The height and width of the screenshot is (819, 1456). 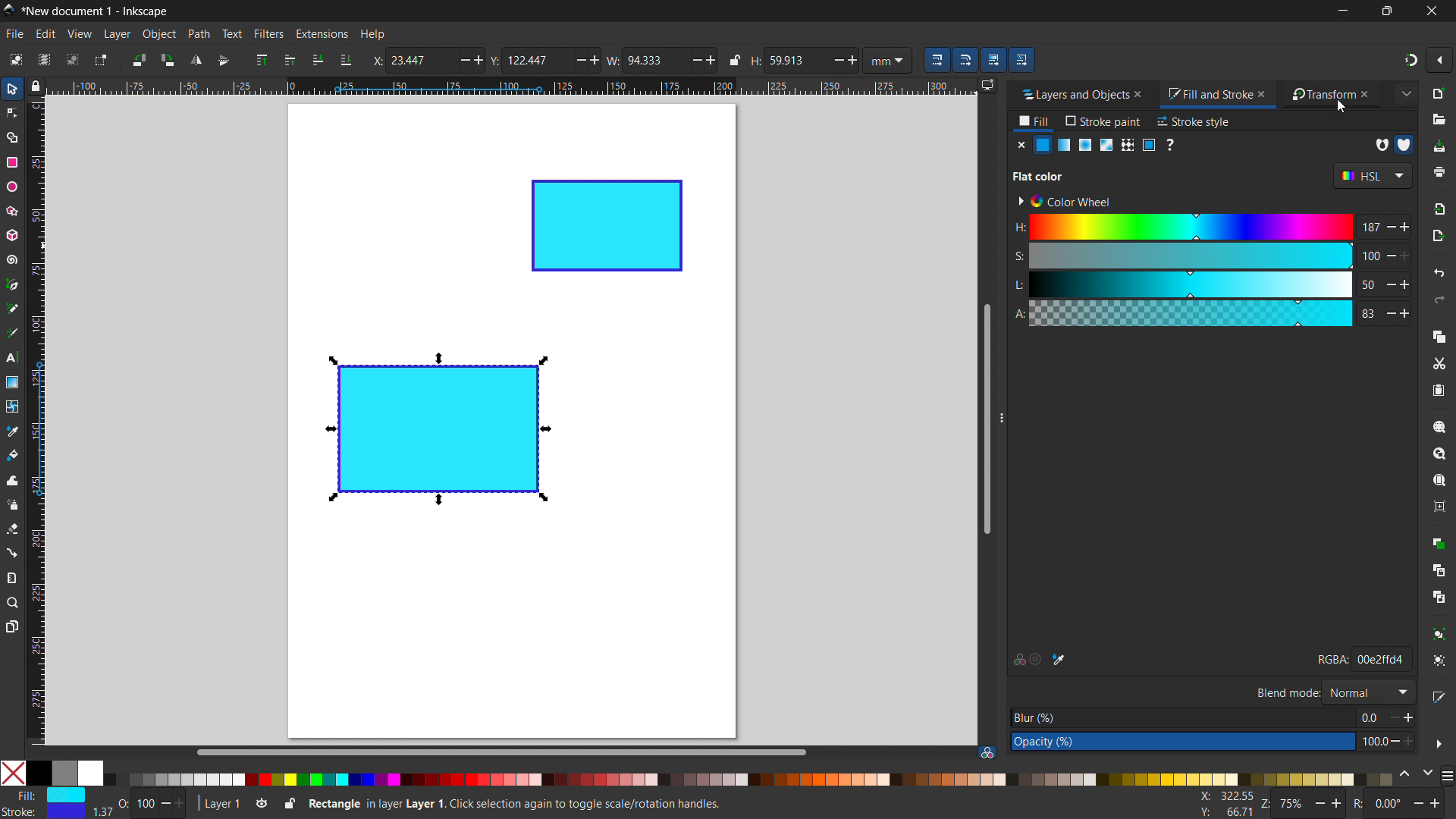 I want to click on L: 50, so click(x=1210, y=283).